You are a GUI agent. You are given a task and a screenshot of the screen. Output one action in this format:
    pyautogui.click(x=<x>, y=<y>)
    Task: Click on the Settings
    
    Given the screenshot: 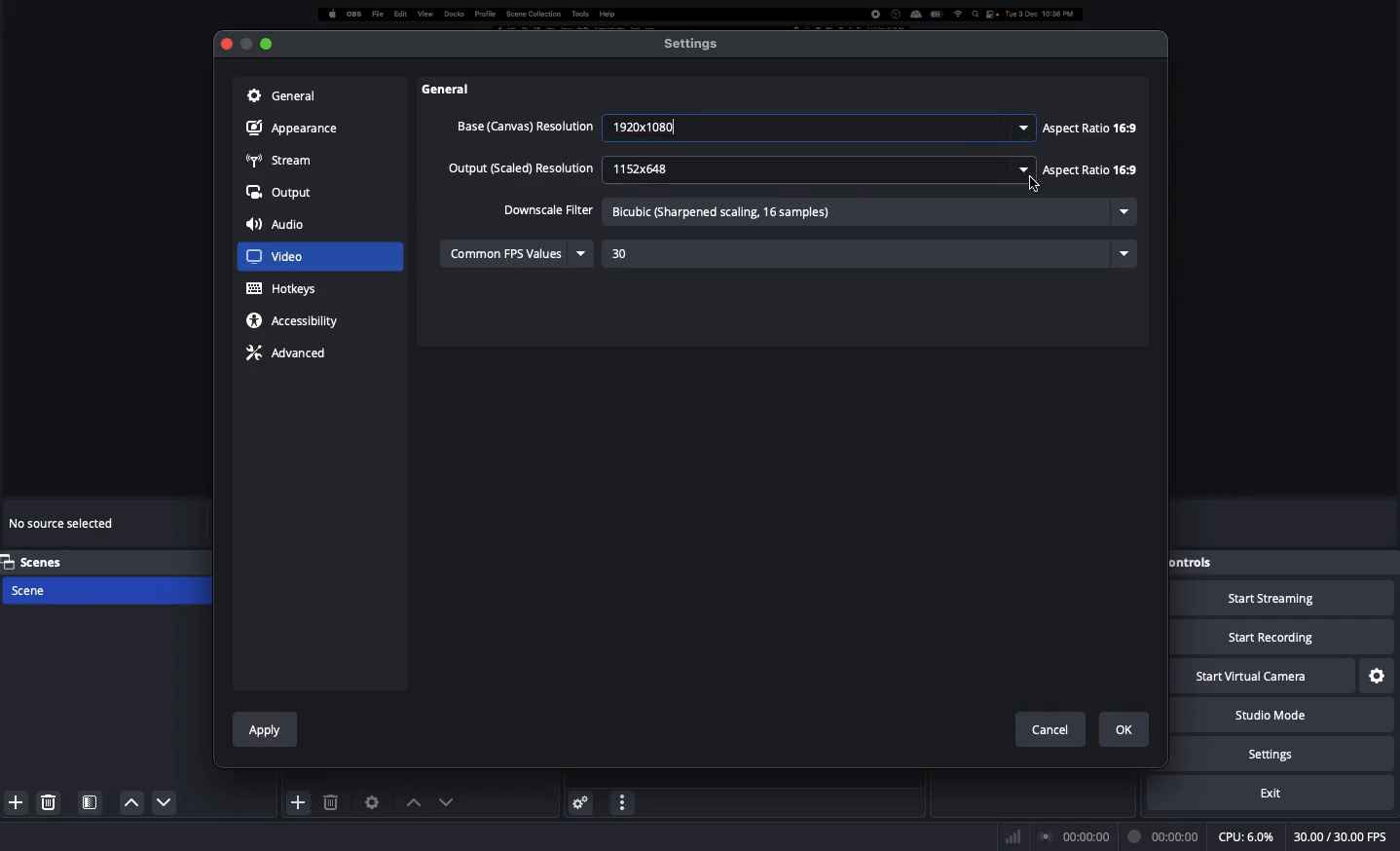 What is the action you would take?
    pyautogui.click(x=692, y=43)
    